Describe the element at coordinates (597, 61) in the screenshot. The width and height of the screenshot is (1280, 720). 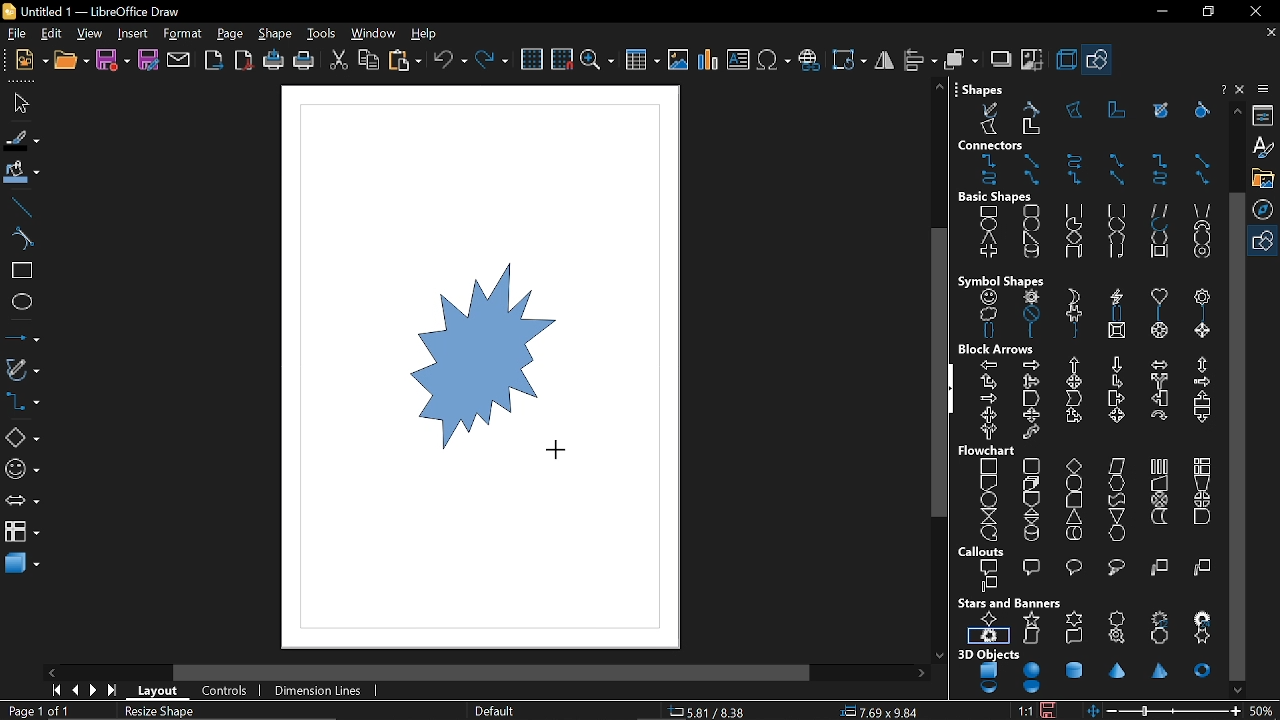
I see `zoom` at that location.